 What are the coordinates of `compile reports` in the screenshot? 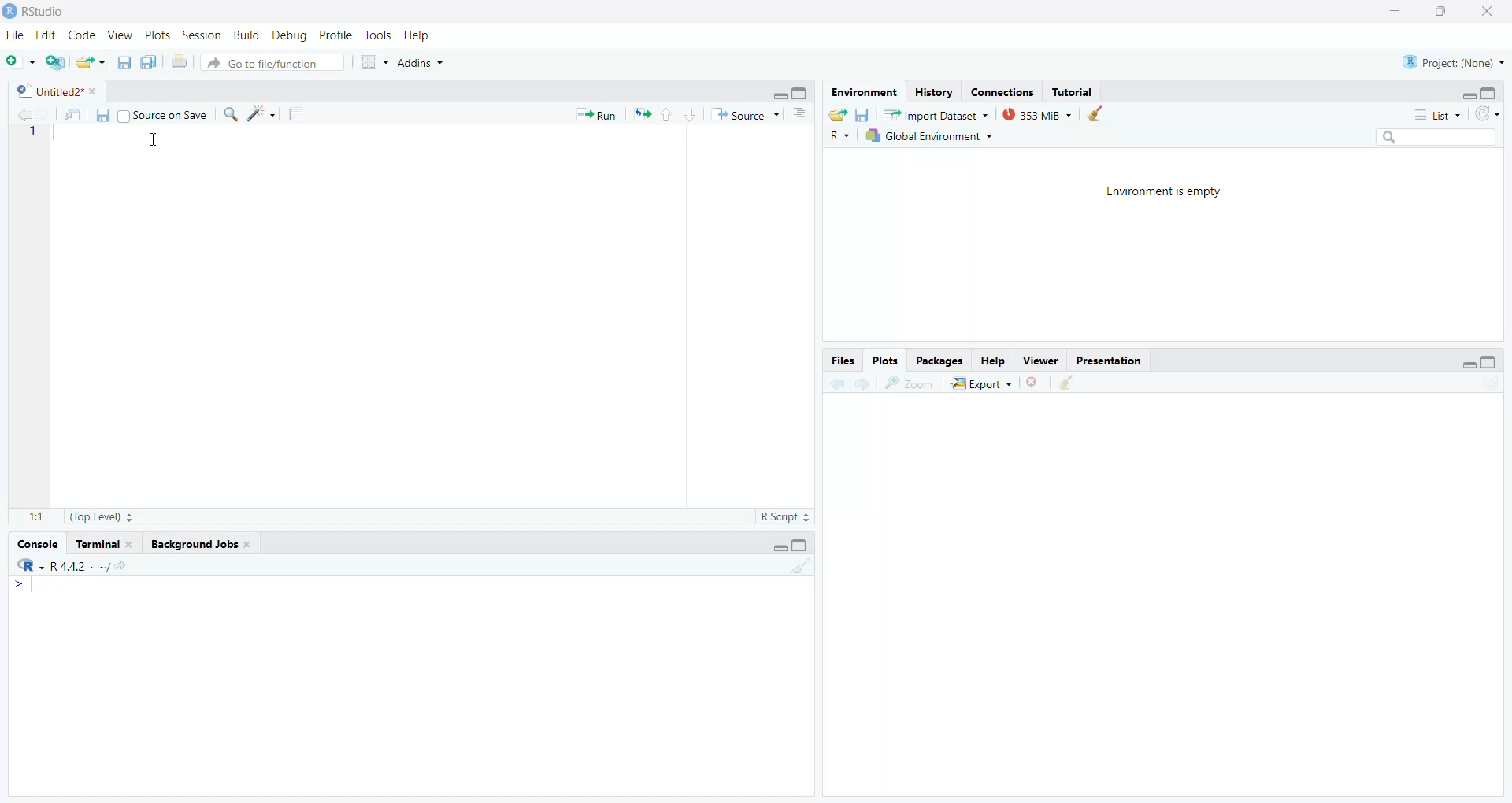 It's located at (296, 113).